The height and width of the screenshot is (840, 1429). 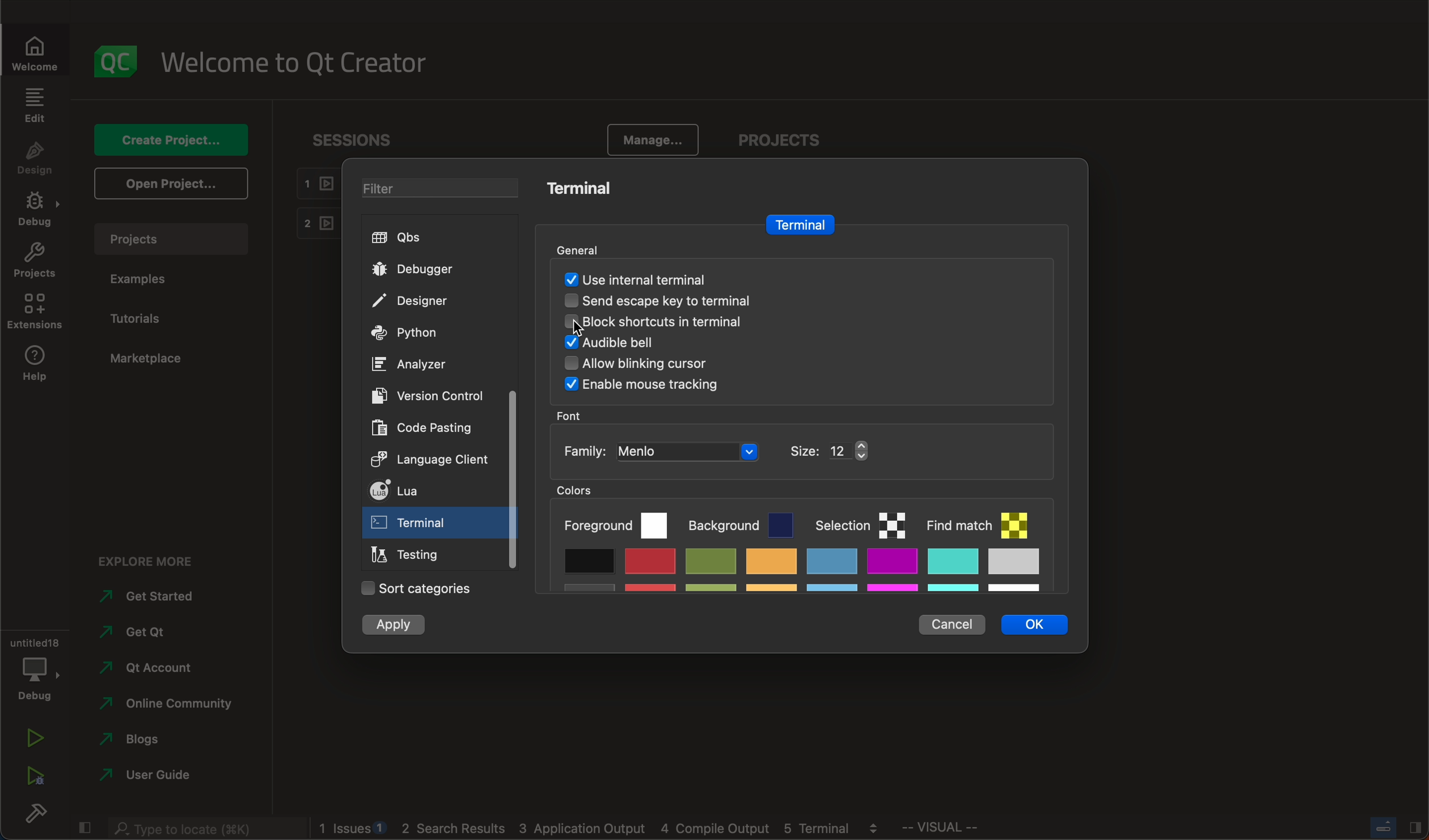 What do you see at coordinates (1030, 624) in the screenshot?
I see `ok` at bounding box center [1030, 624].